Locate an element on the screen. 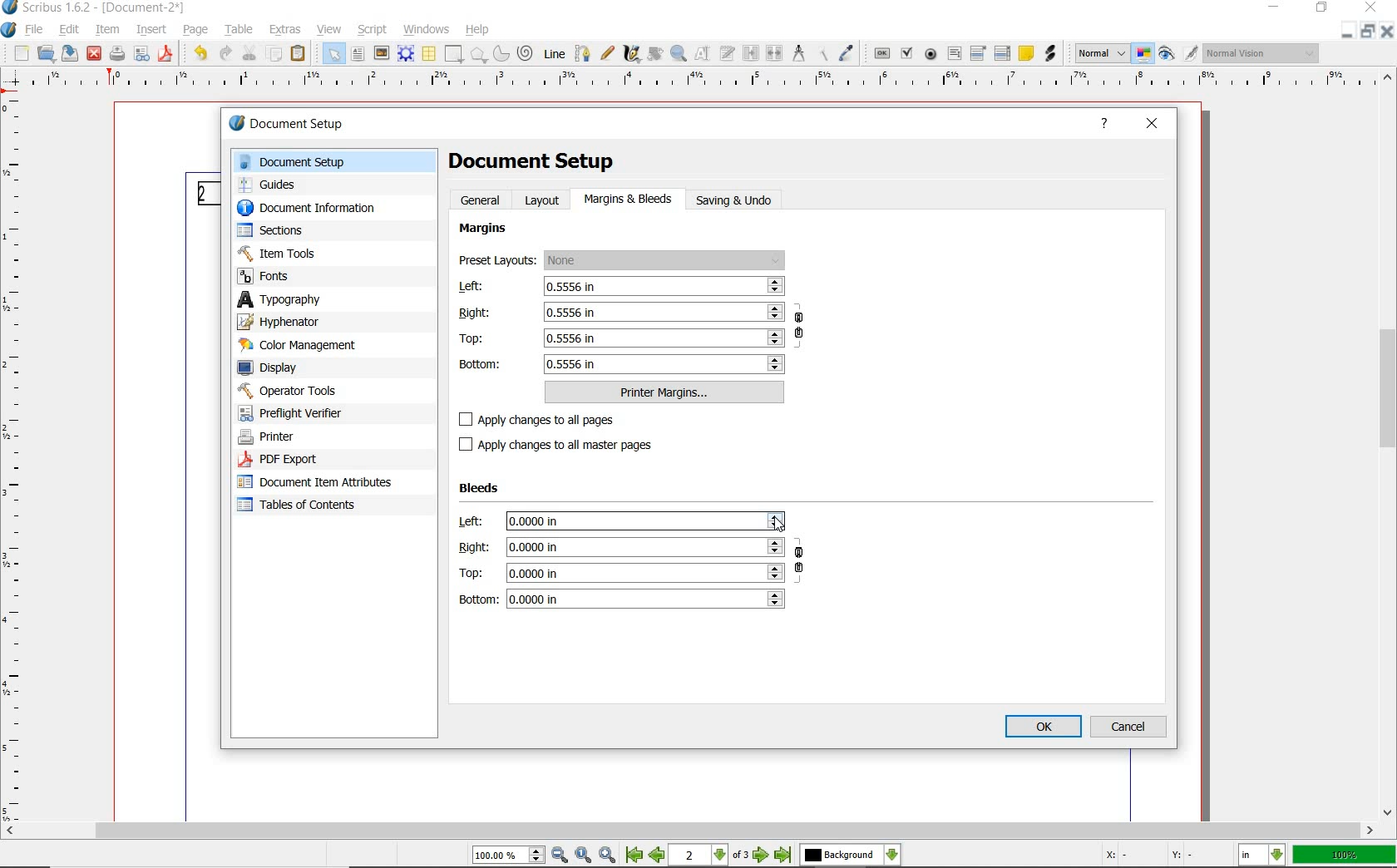  zoom factor 100% is located at coordinates (1345, 856).